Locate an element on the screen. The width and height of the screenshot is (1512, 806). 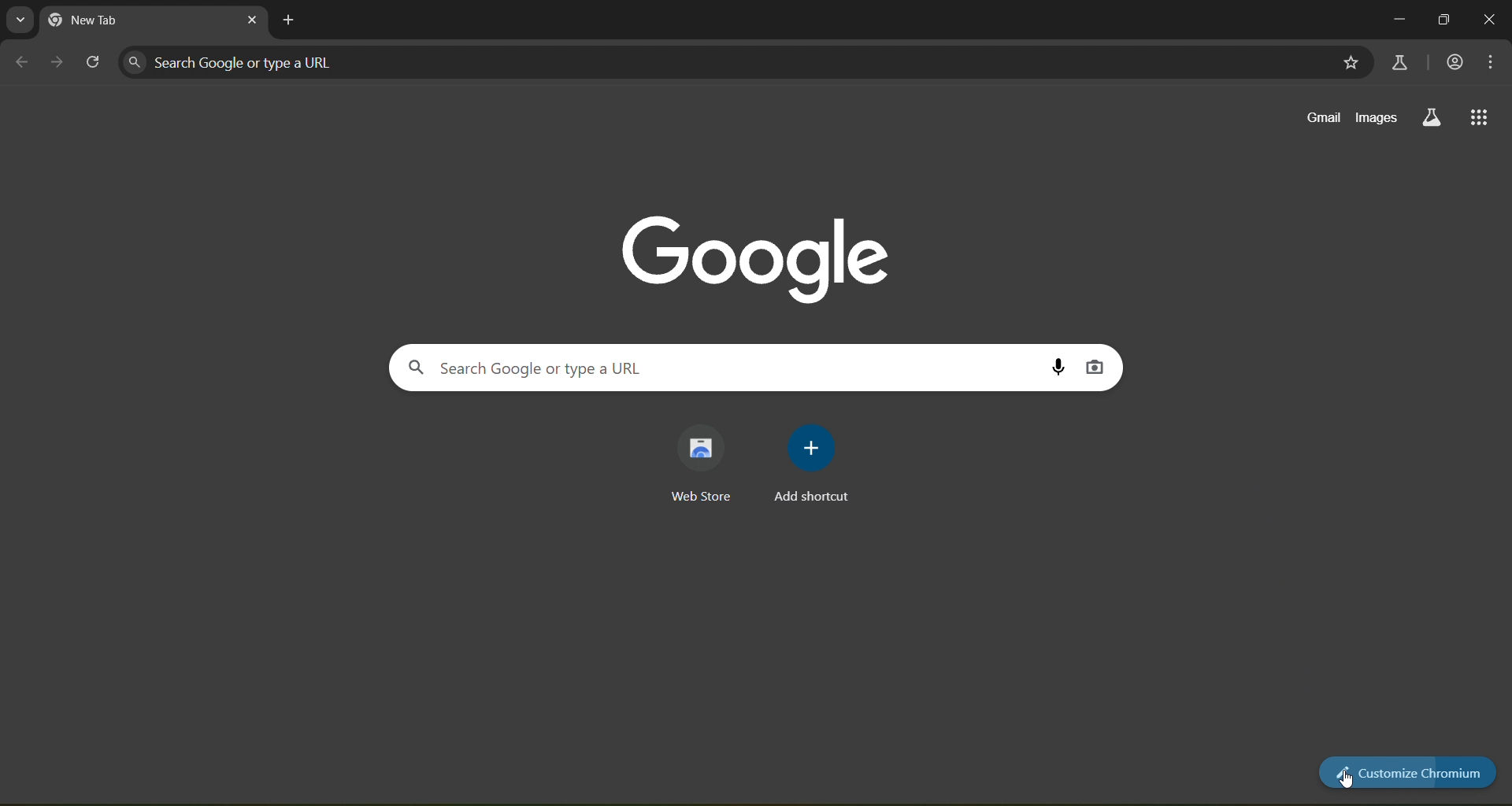
close is located at coordinates (248, 20).